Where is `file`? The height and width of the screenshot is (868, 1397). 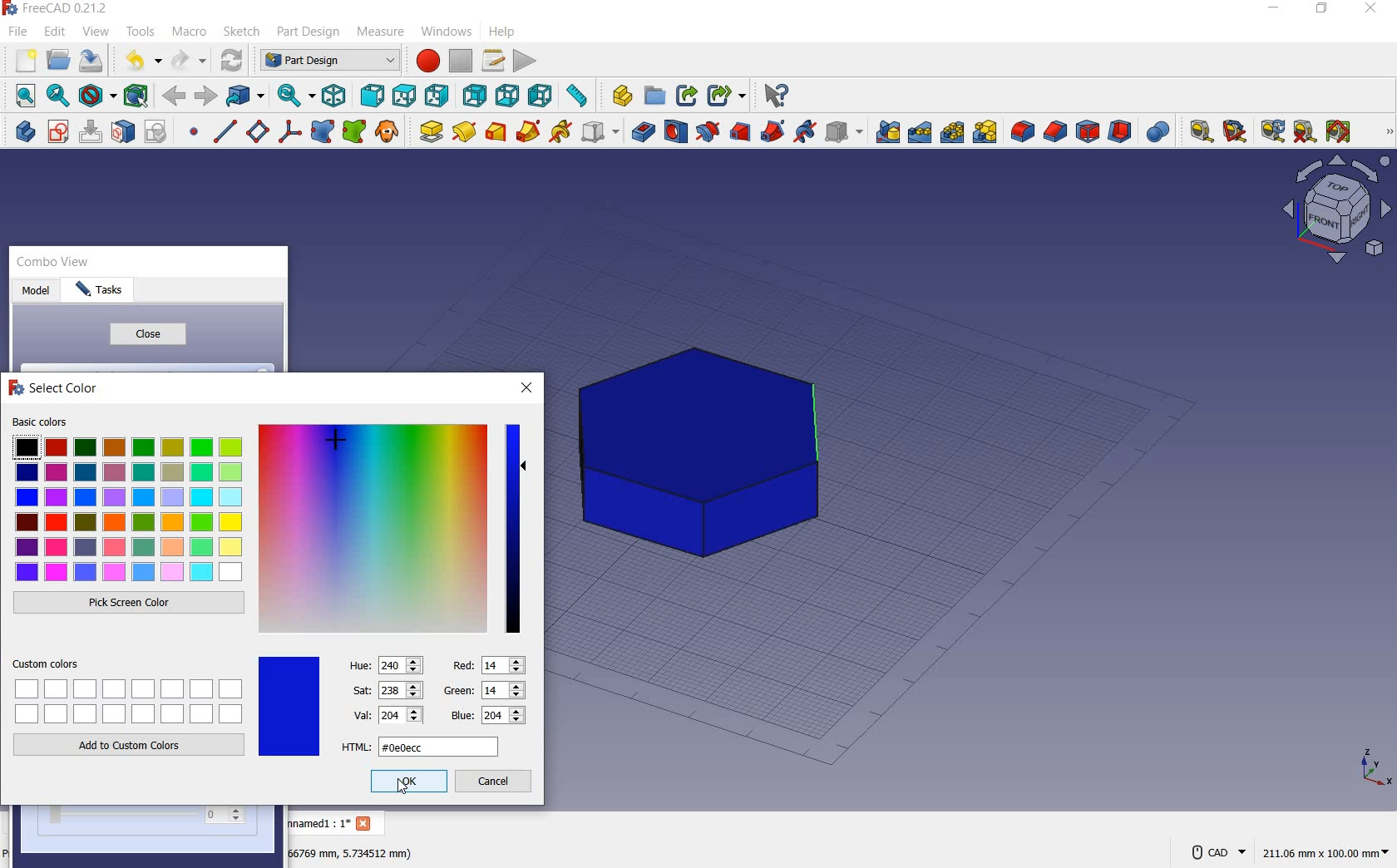 file is located at coordinates (16, 33).